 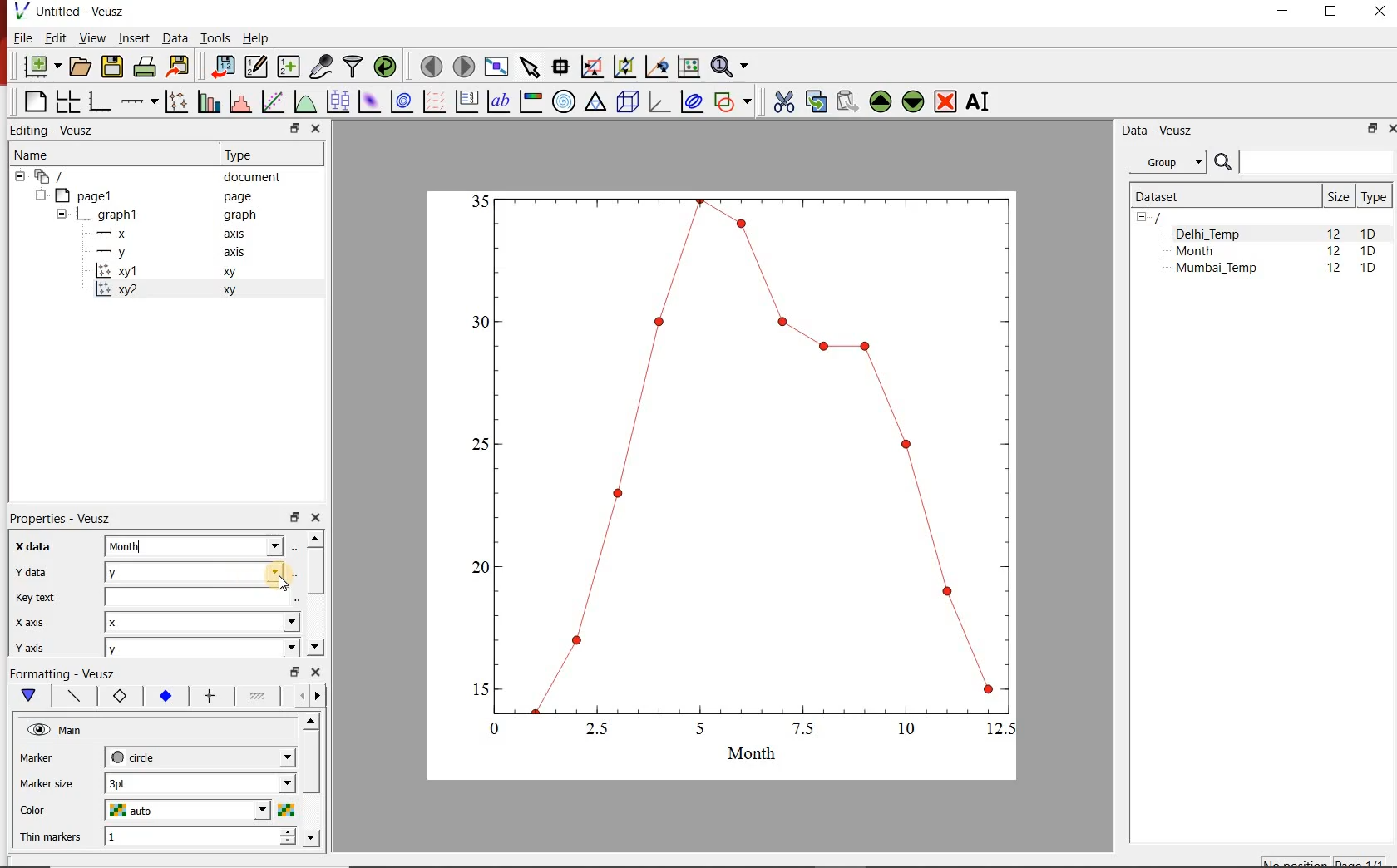 I want to click on close, so click(x=314, y=130).